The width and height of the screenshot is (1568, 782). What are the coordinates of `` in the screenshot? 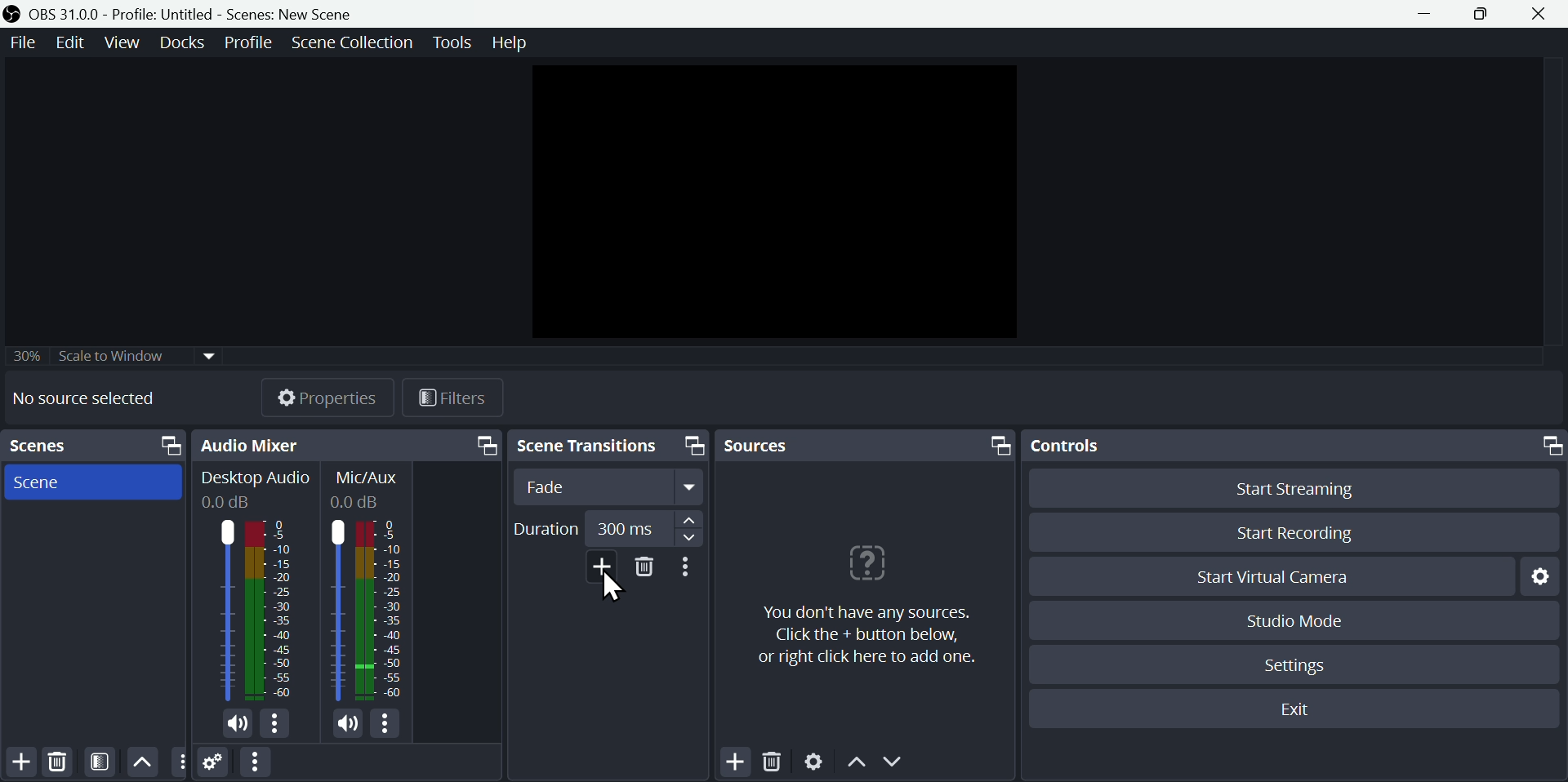 It's located at (692, 529).